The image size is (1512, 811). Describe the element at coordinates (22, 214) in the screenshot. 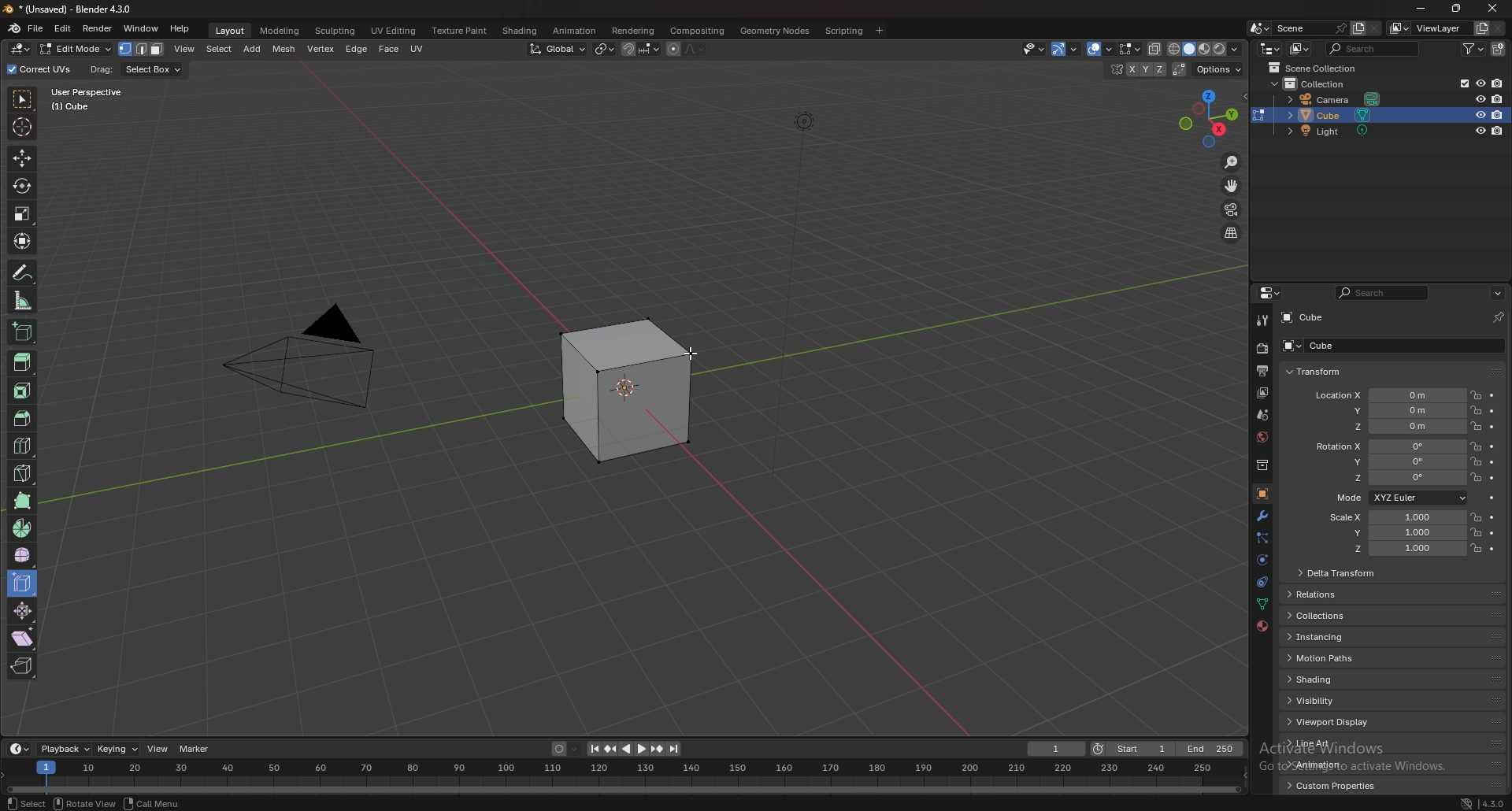

I see `scale` at that location.